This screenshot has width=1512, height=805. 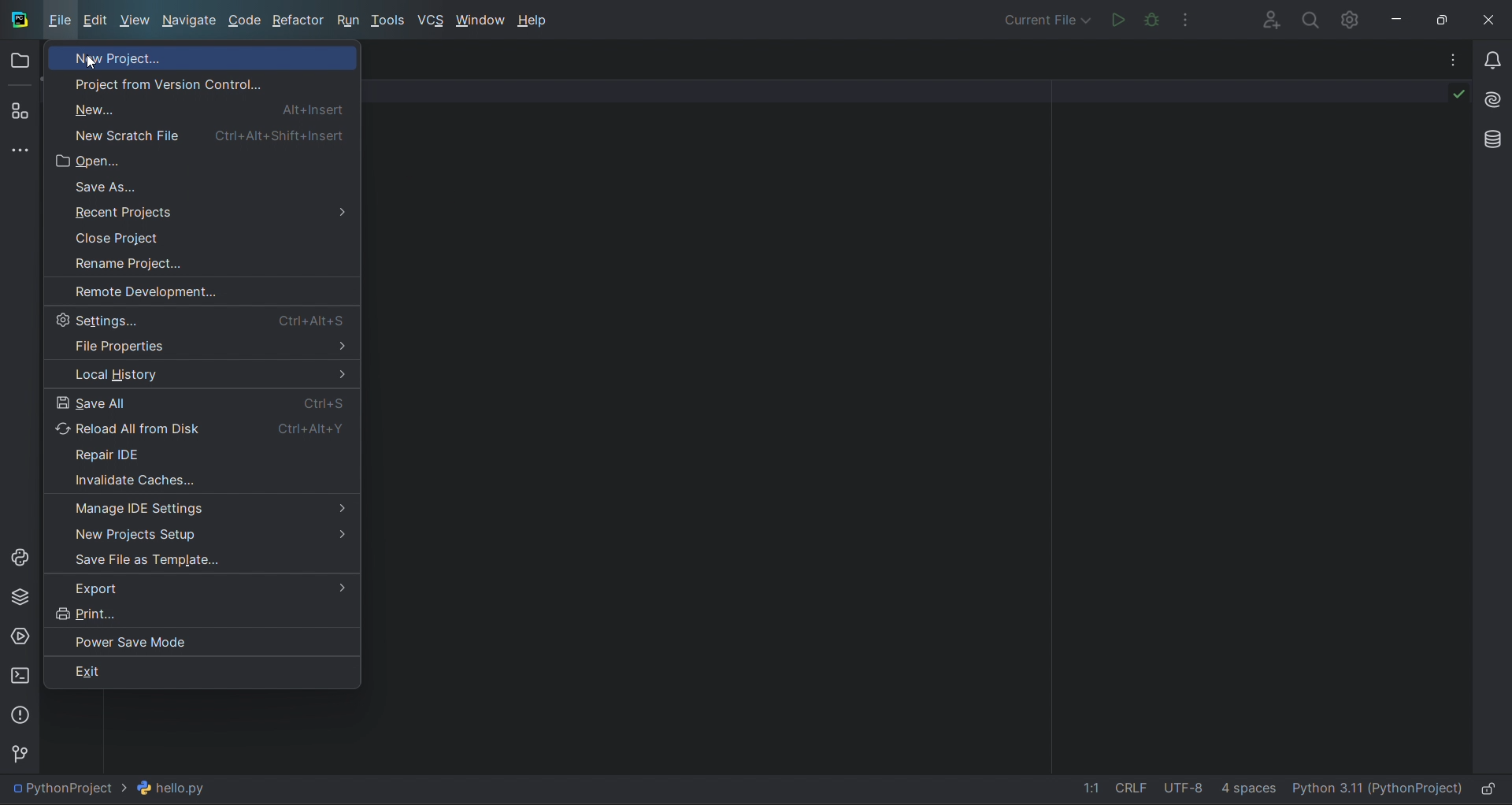 What do you see at coordinates (1266, 19) in the screenshot?
I see `add user` at bounding box center [1266, 19].